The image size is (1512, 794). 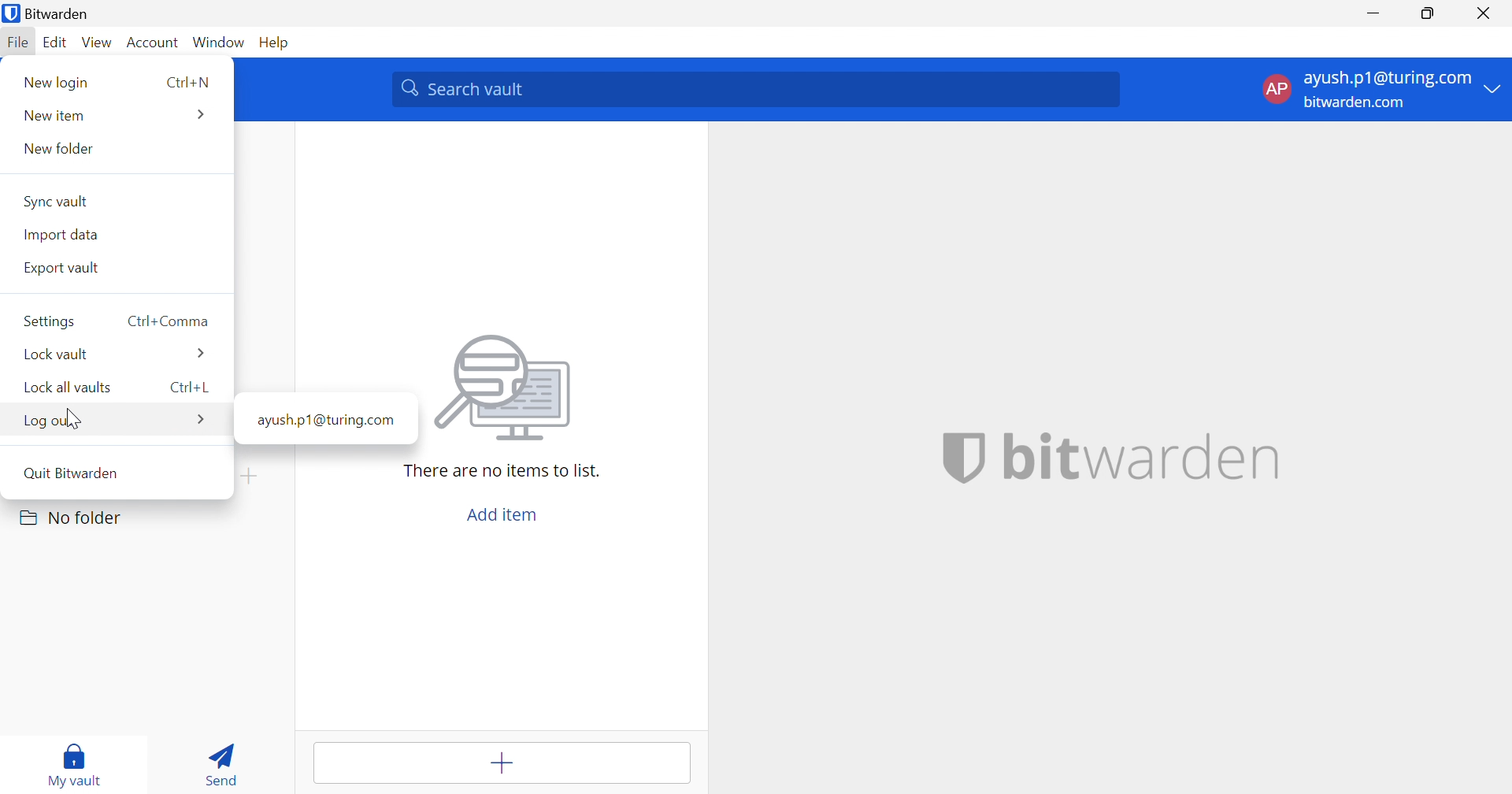 I want to click on New login, so click(x=58, y=83).